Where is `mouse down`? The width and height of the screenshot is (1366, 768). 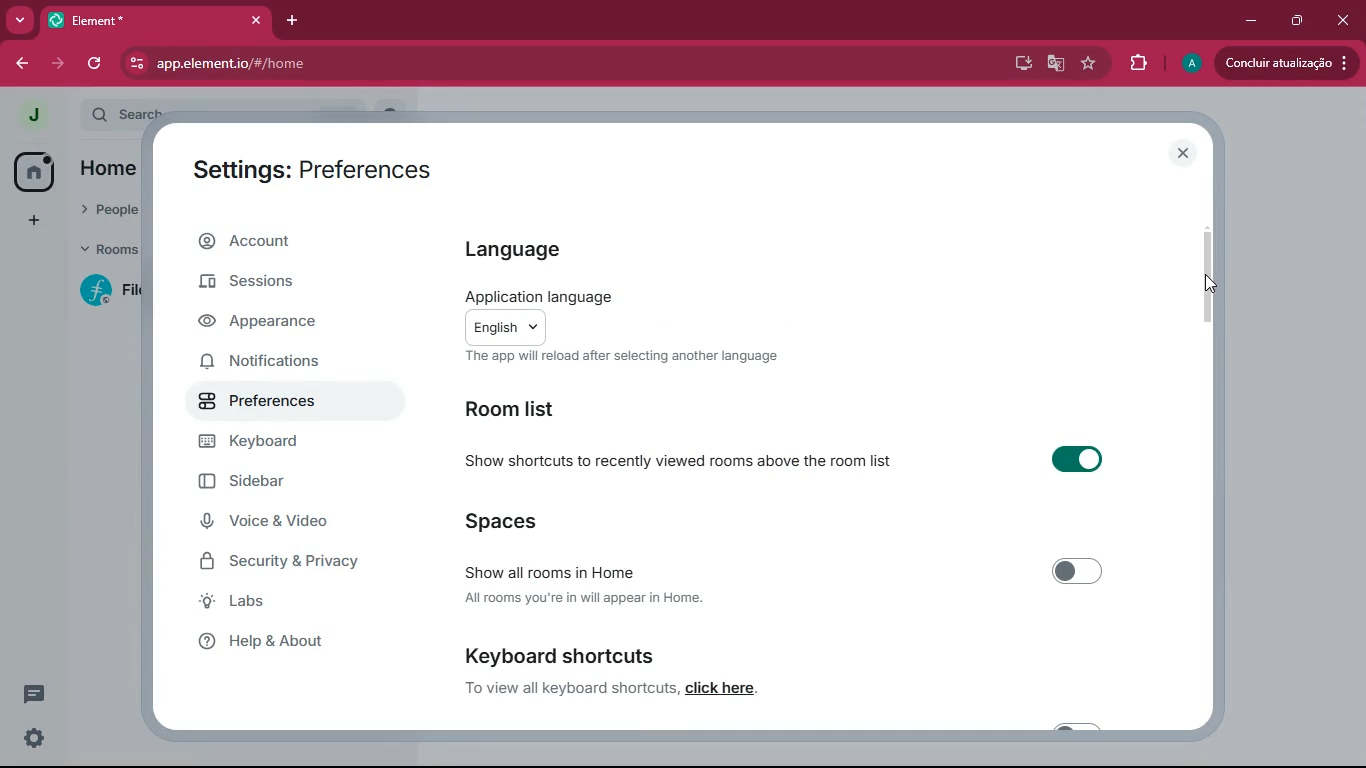
mouse down is located at coordinates (1209, 282).